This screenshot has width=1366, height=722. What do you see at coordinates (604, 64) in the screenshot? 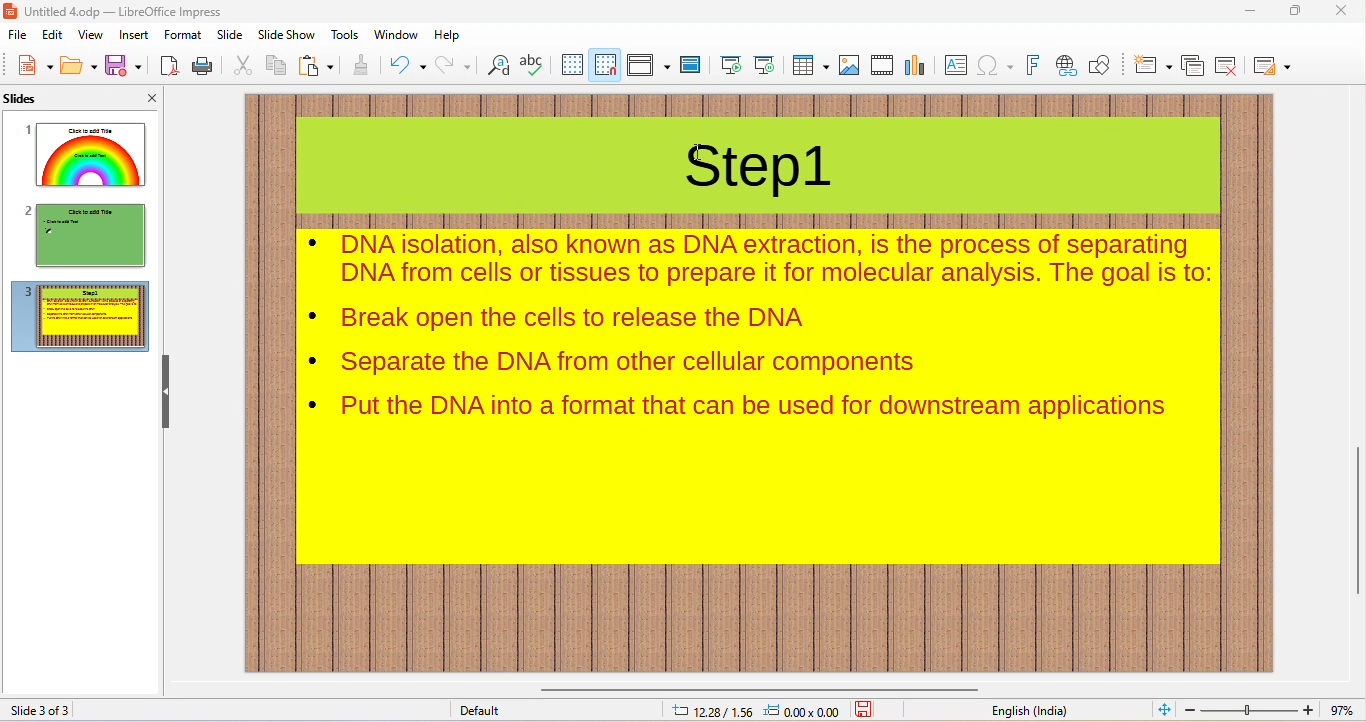
I see `snap to grid` at bounding box center [604, 64].